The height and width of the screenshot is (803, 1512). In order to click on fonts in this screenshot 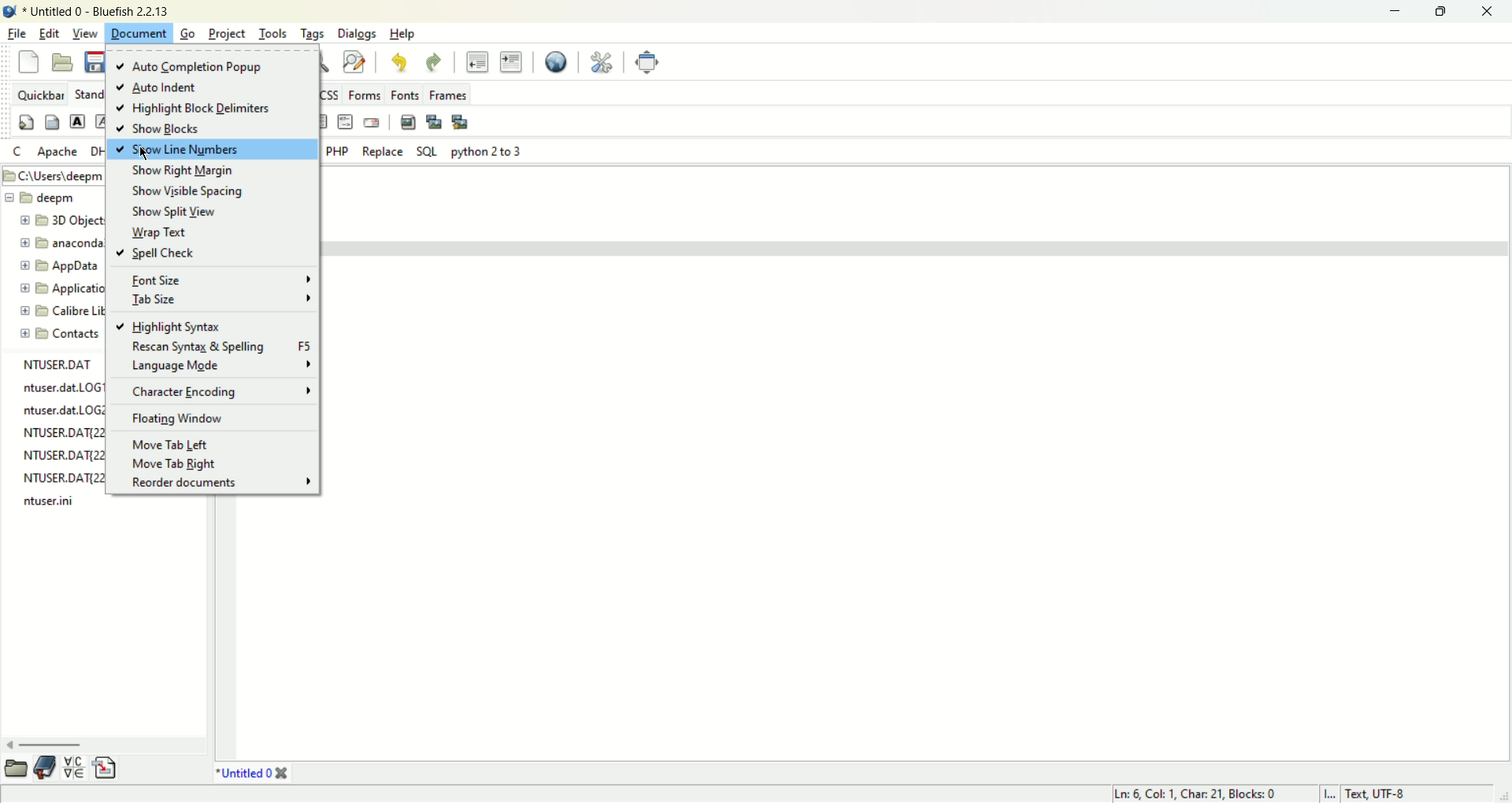, I will do `click(406, 94)`.